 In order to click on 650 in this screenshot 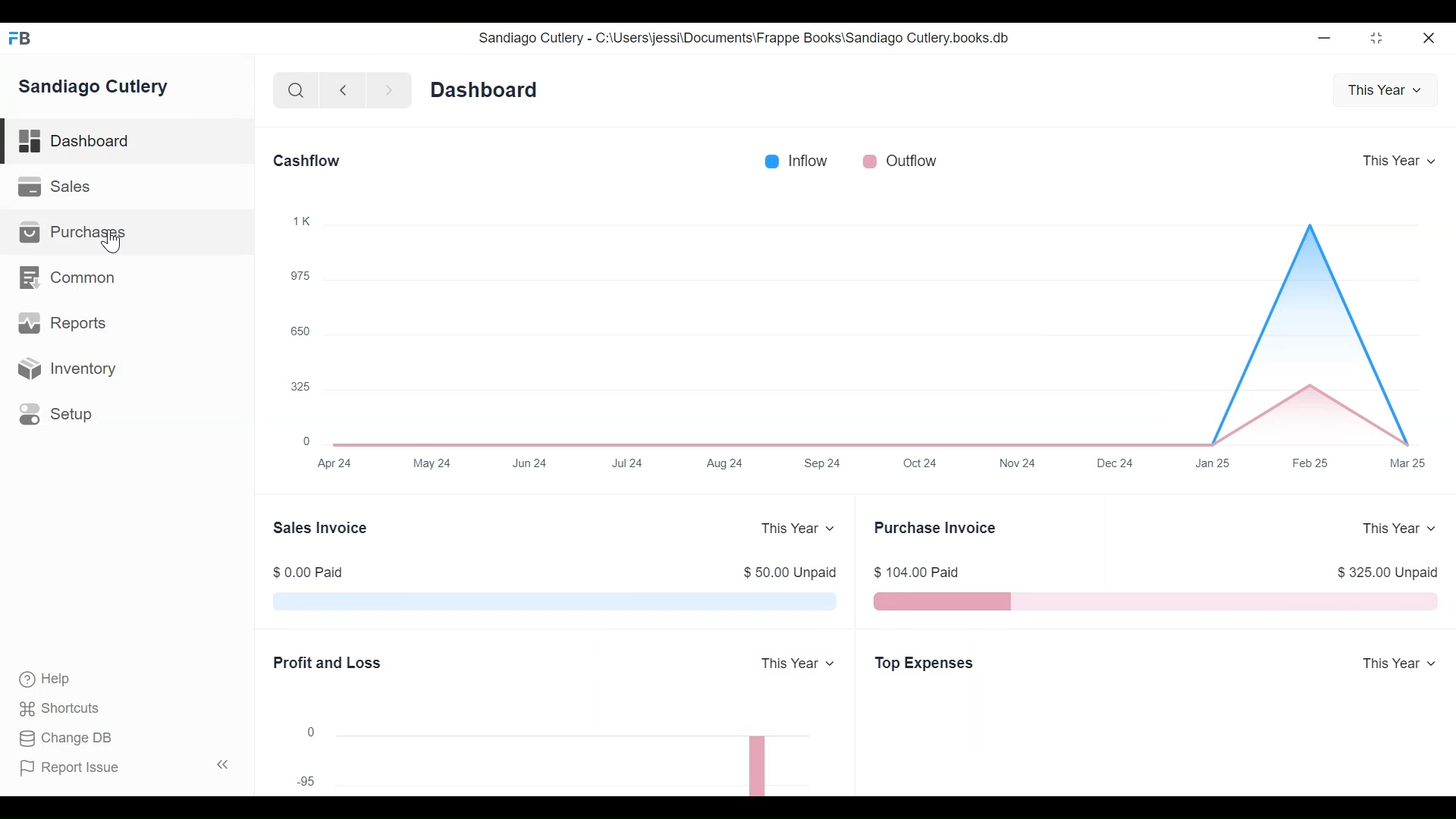, I will do `click(295, 329)`.